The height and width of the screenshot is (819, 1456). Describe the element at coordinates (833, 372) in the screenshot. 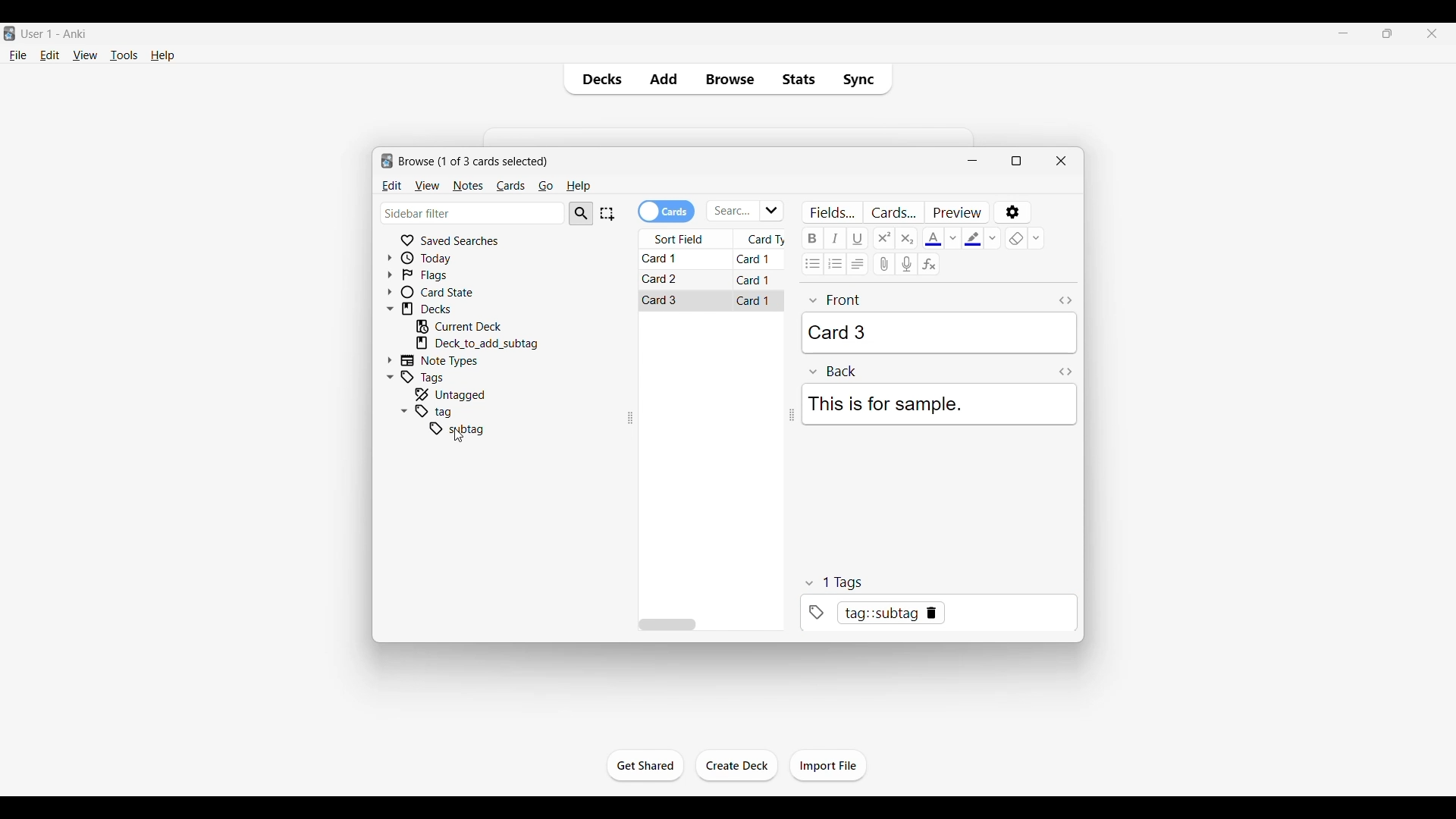

I see `Back` at that location.